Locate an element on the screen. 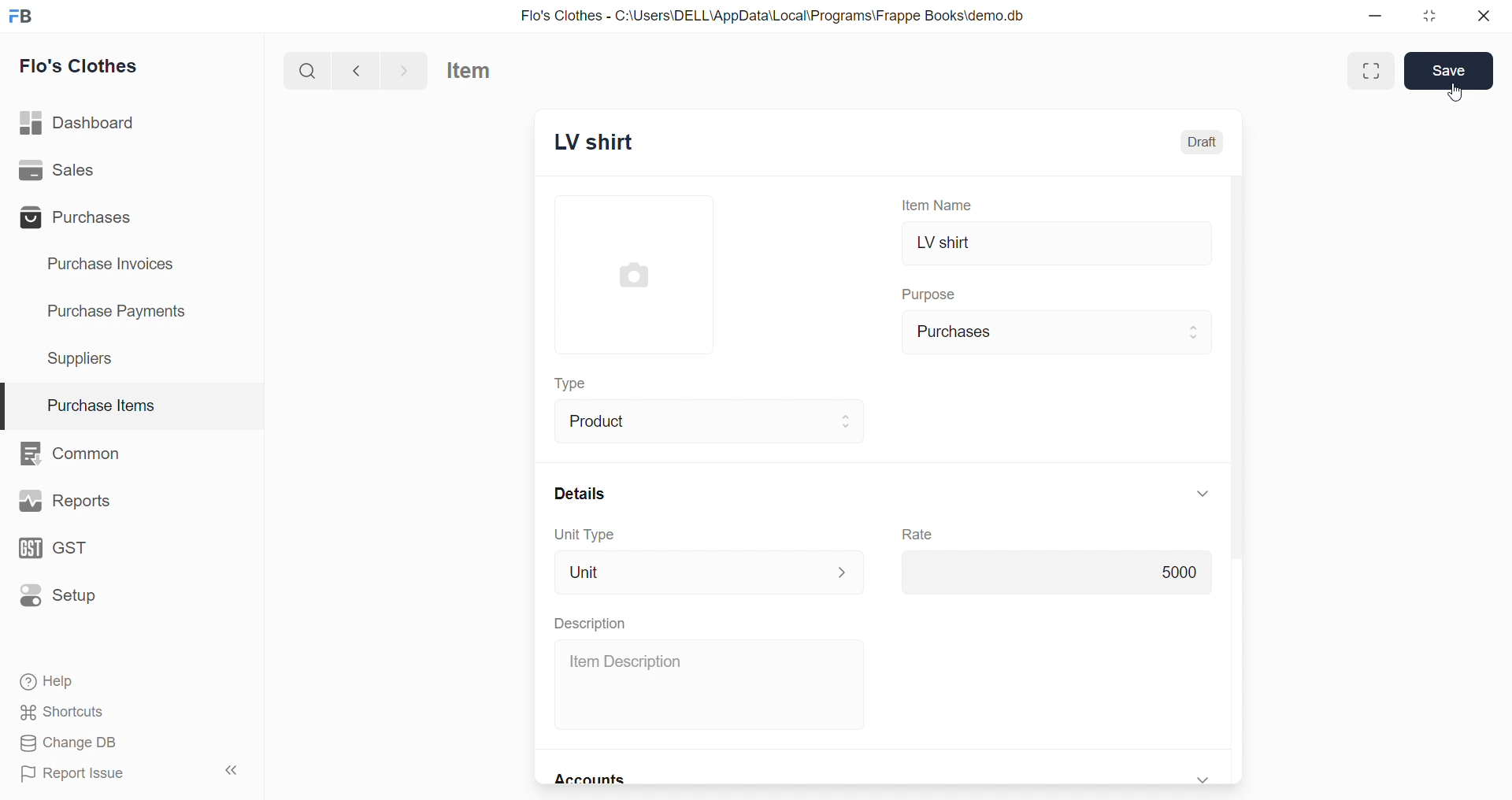 This screenshot has width=1512, height=800. cursor is located at coordinates (1455, 94).